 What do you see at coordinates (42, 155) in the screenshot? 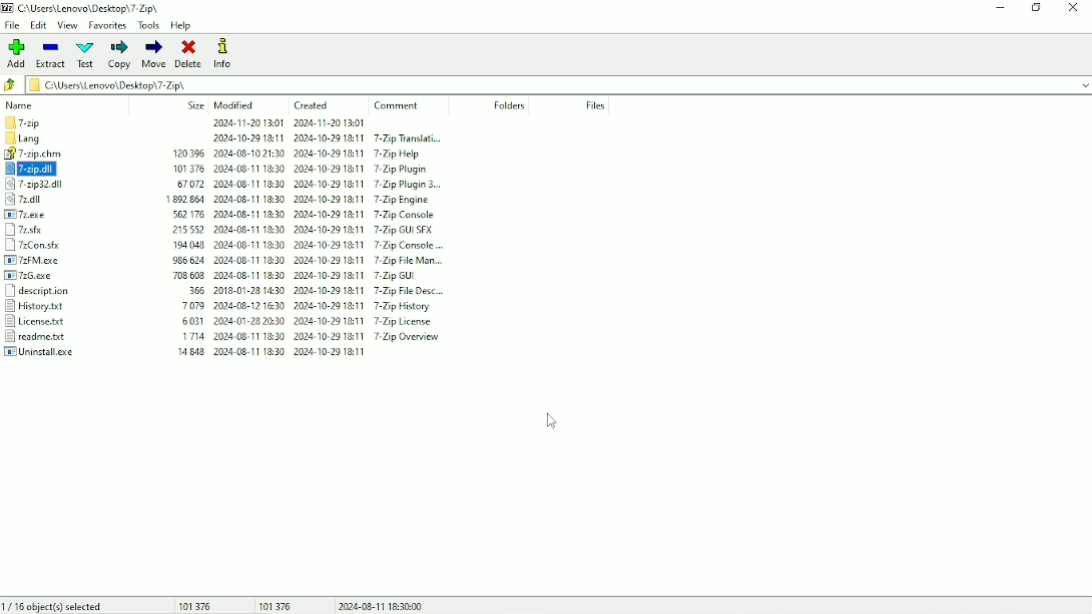
I see `7-zip.chm` at bounding box center [42, 155].